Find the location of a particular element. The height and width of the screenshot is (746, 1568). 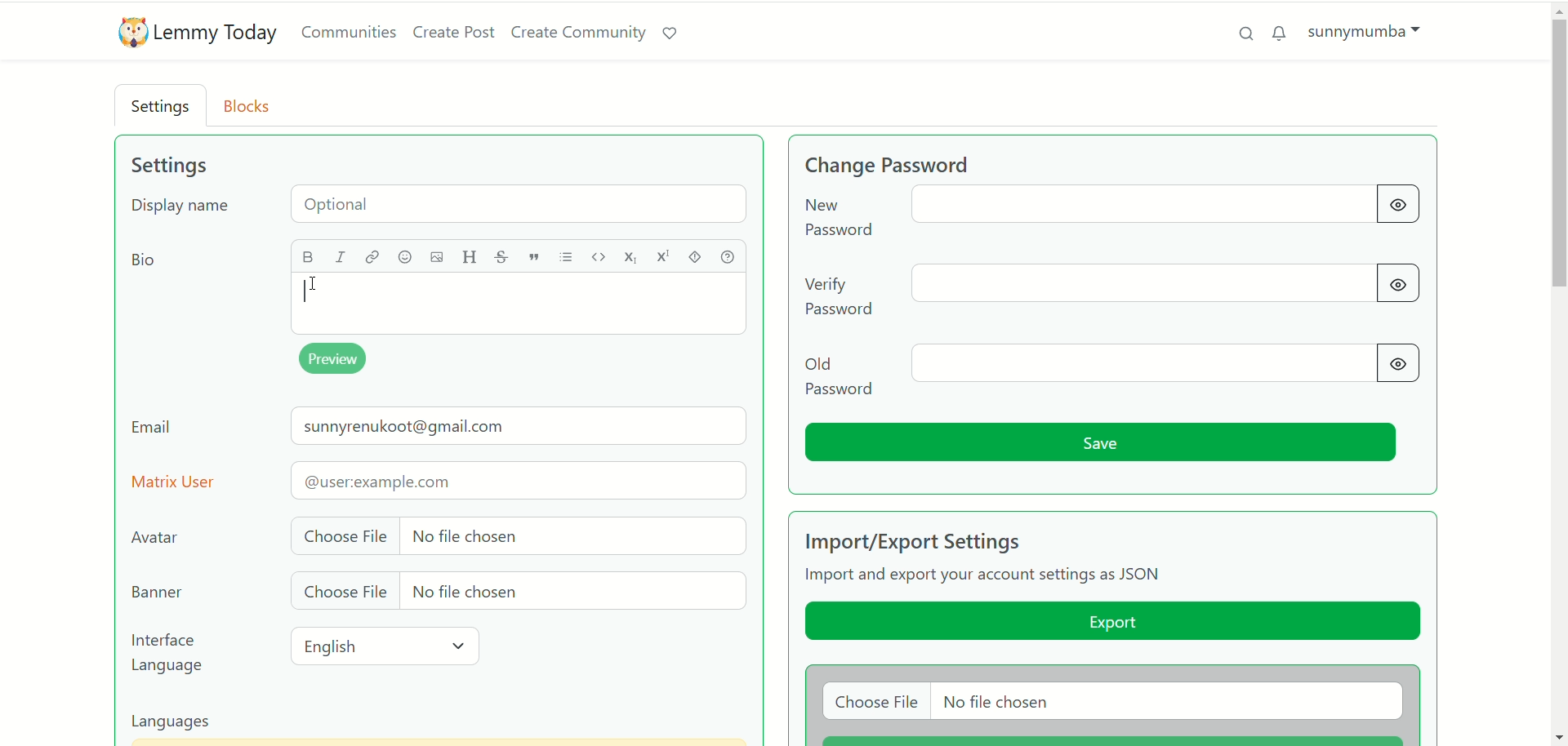

superscript is located at coordinates (663, 259).